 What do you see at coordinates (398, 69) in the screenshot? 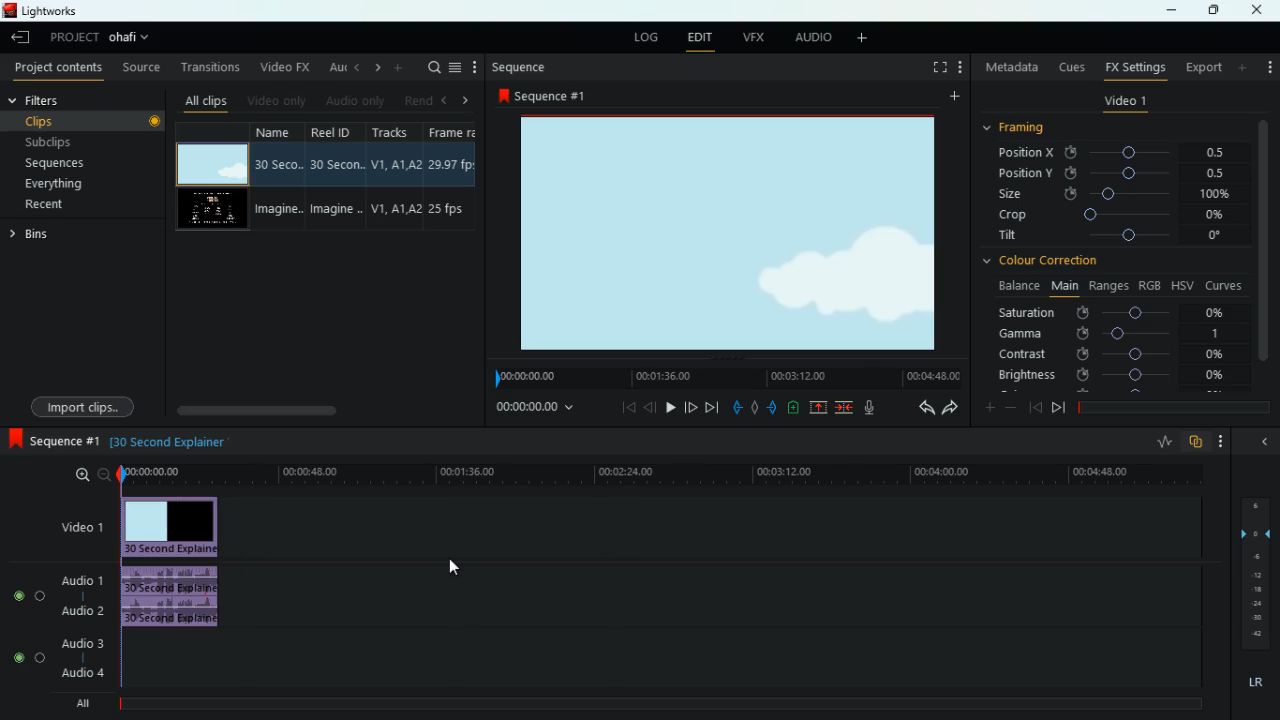
I see `add` at bounding box center [398, 69].